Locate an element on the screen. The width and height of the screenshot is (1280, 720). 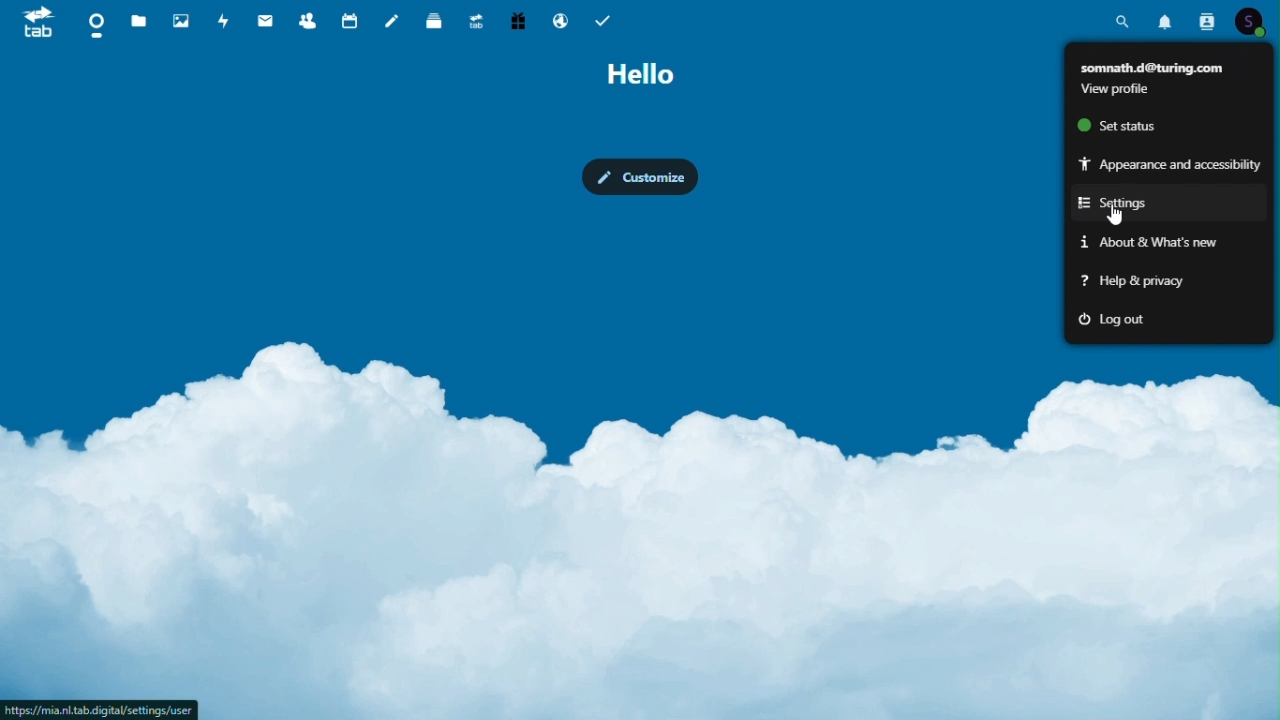
Free trial is located at coordinates (517, 20).